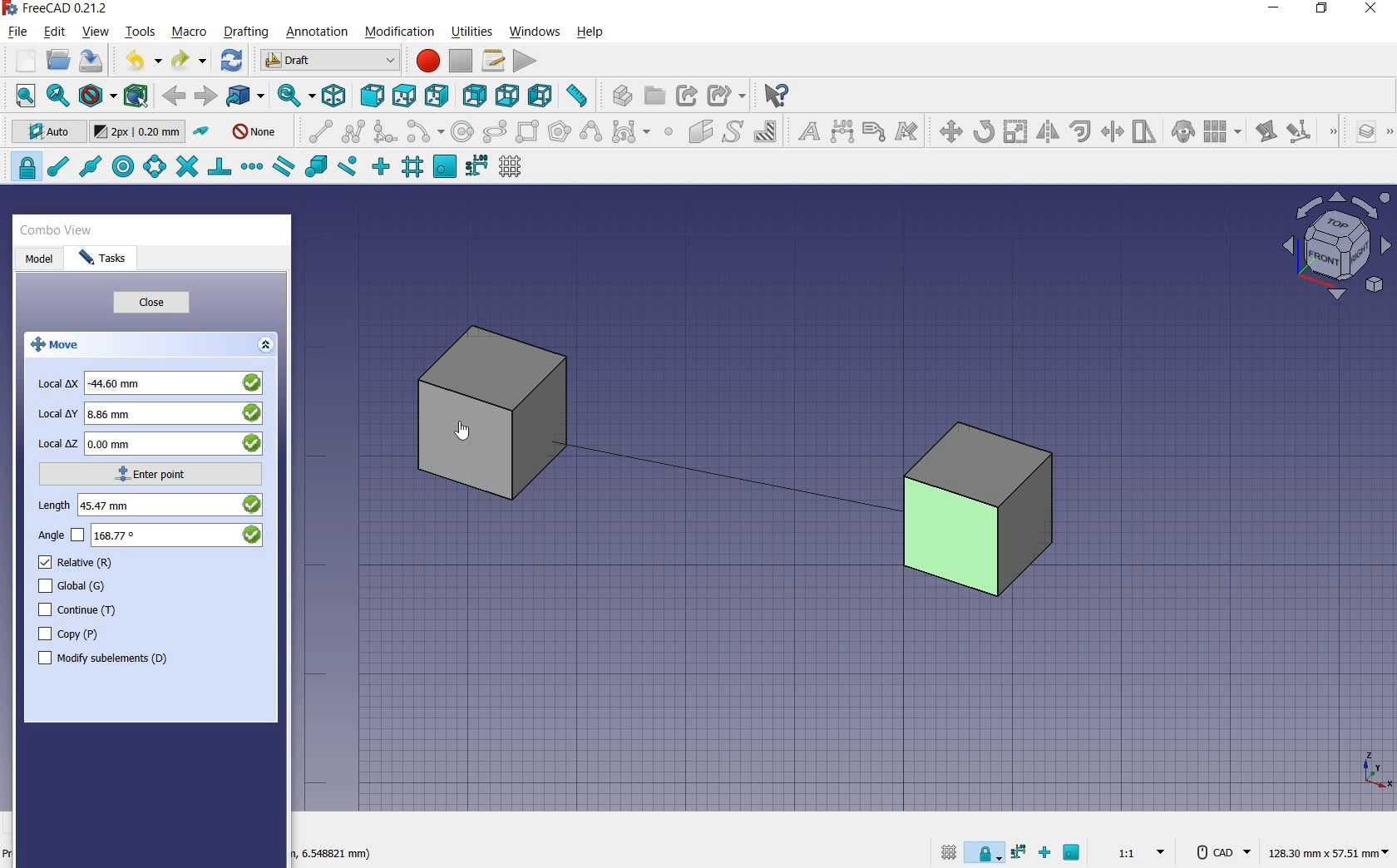 Image resolution: width=1397 pixels, height=868 pixels. What do you see at coordinates (699, 131) in the screenshot?
I see `facebinder` at bounding box center [699, 131].